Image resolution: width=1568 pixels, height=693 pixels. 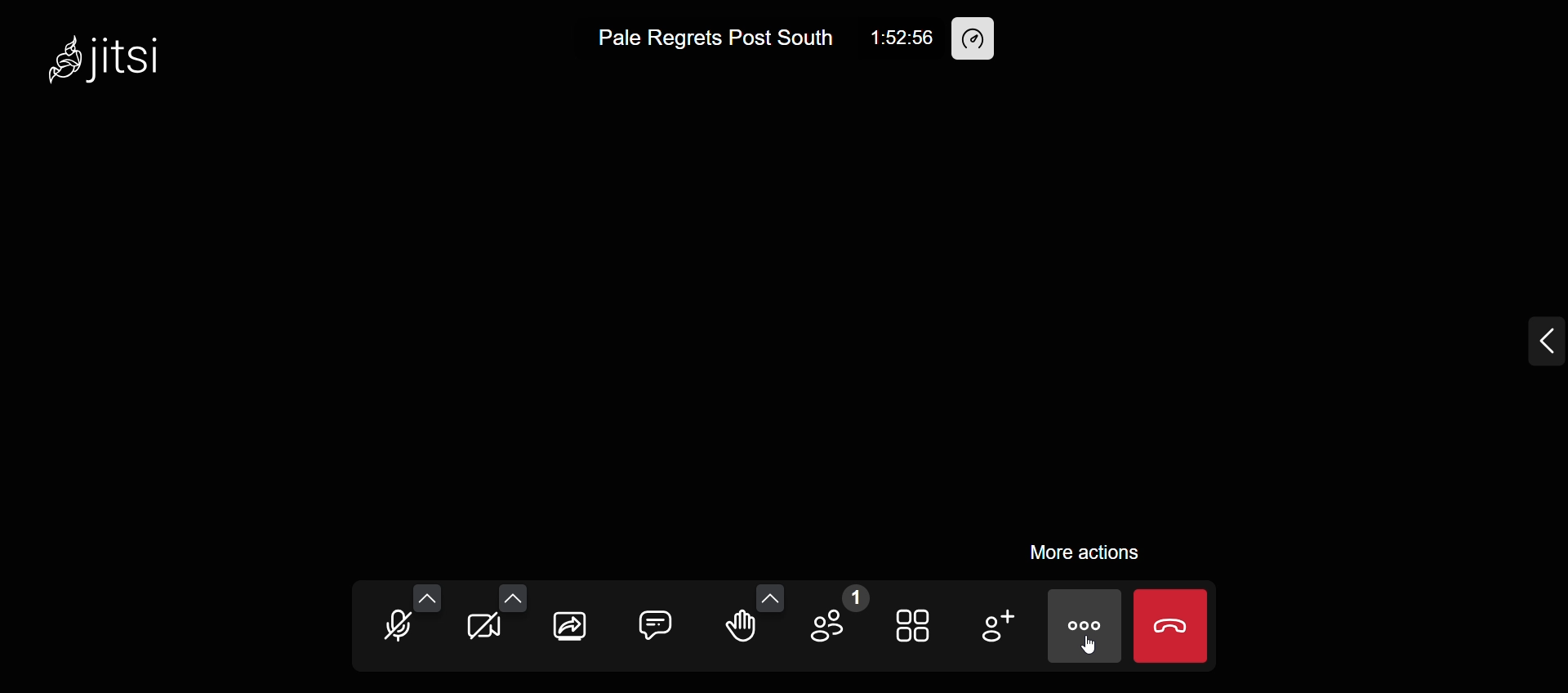 I want to click on 1:52:56, so click(x=900, y=34).